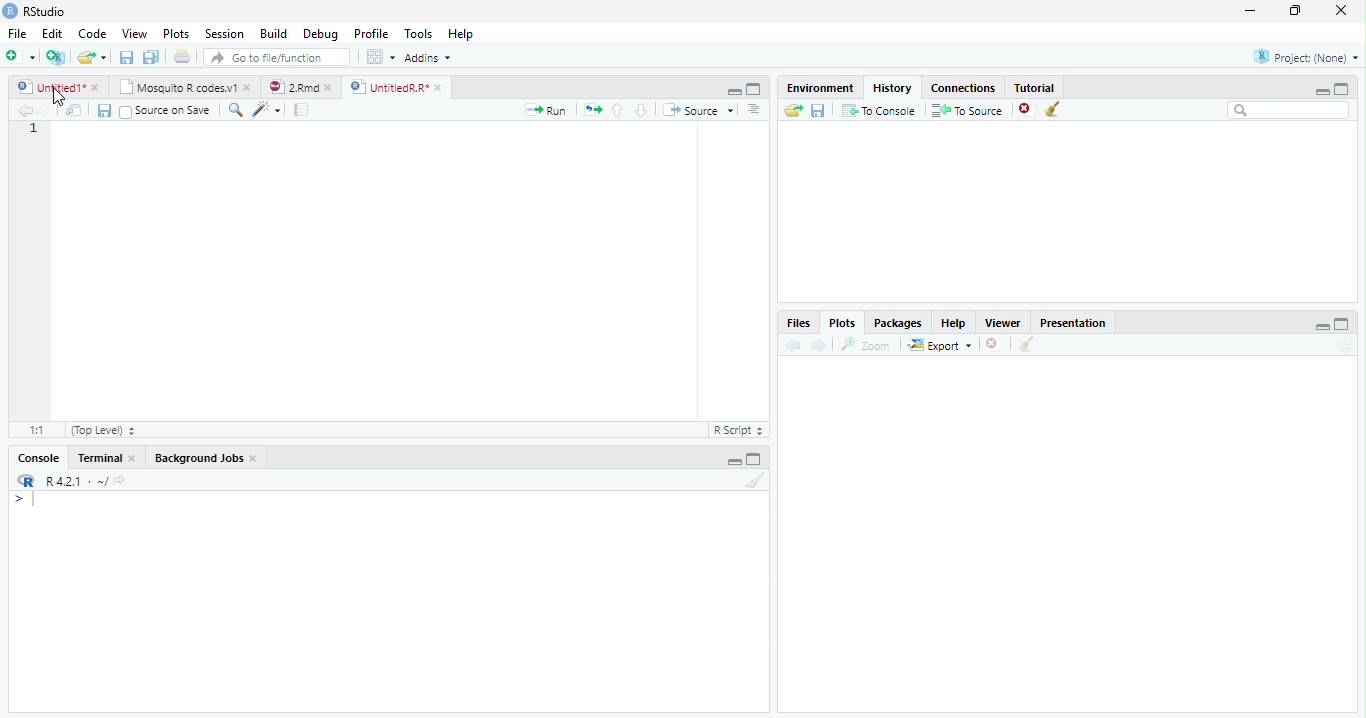 The height and width of the screenshot is (718, 1366). I want to click on Clear console, so click(759, 483).